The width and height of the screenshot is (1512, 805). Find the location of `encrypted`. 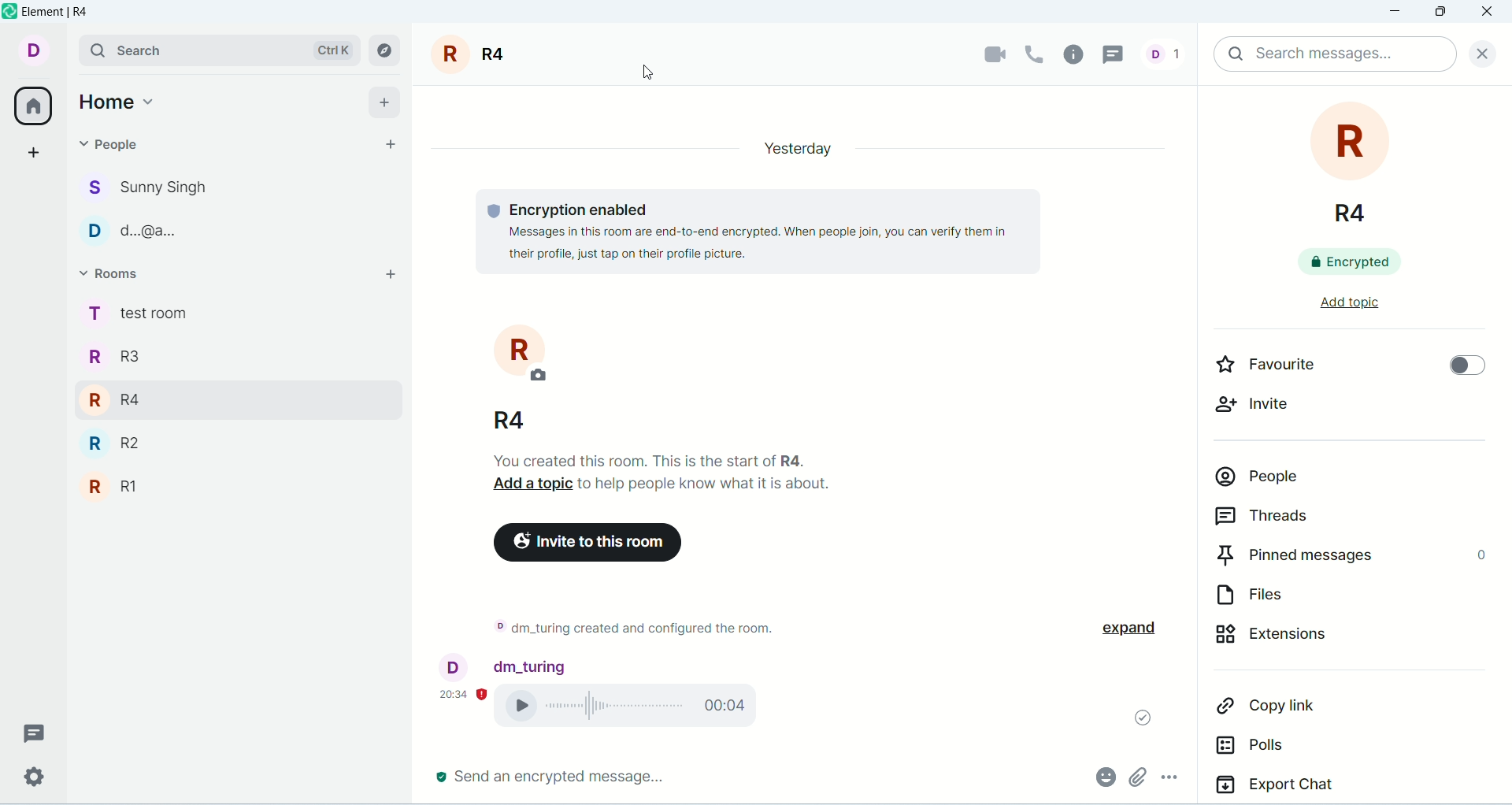

encrypted is located at coordinates (1362, 265).